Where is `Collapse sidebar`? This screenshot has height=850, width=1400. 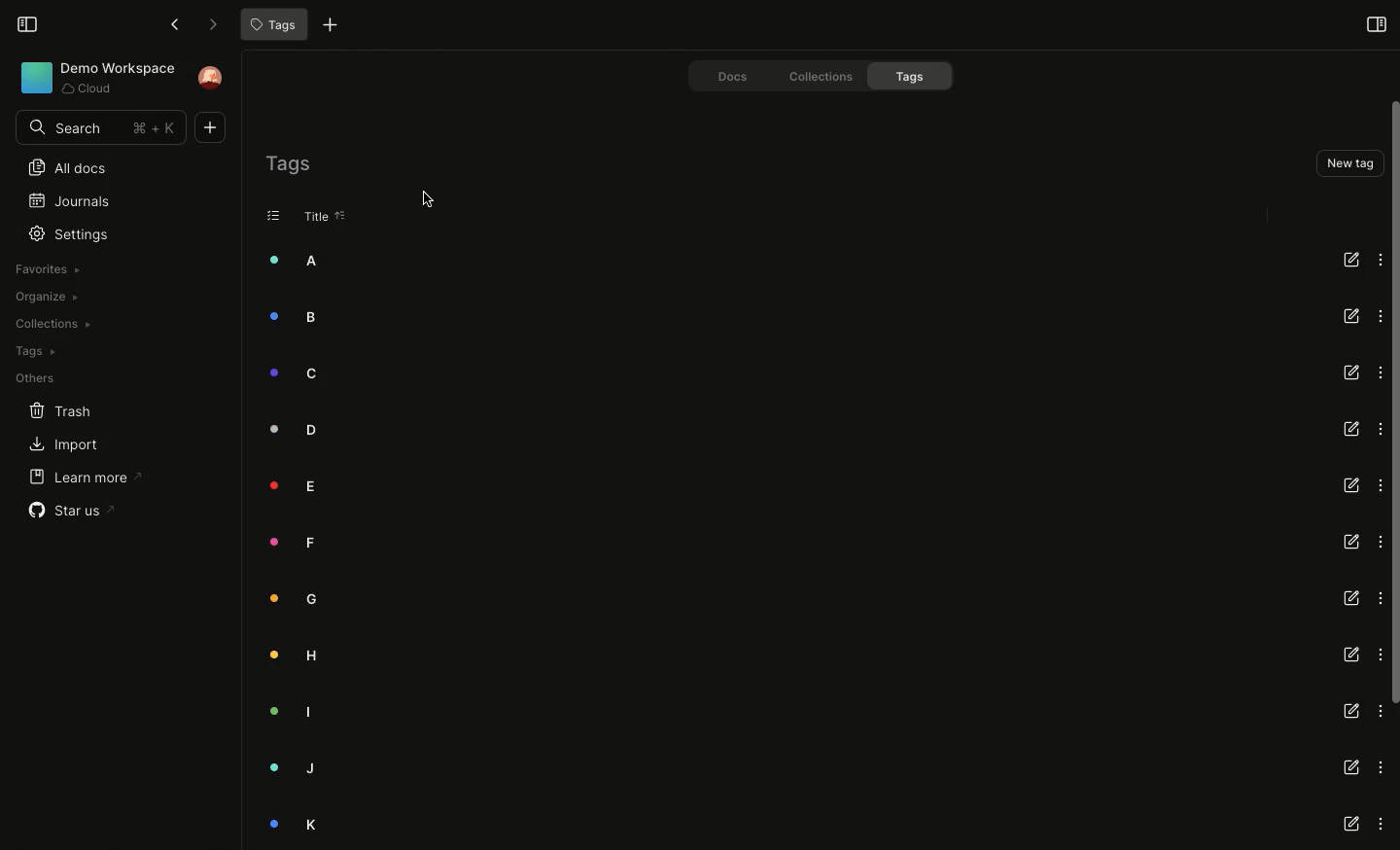
Collapse sidebar is located at coordinates (27, 23).